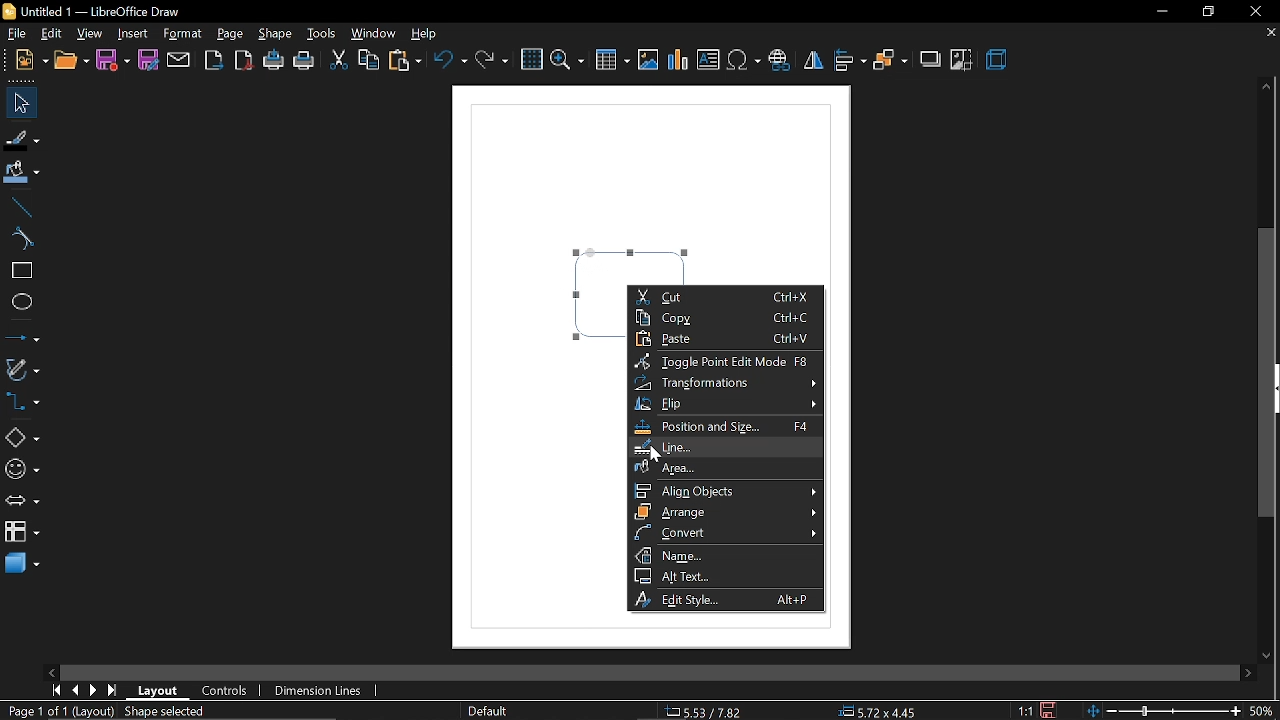 The width and height of the screenshot is (1280, 720). Describe the element at coordinates (54, 670) in the screenshot. I see `move left` at that location.